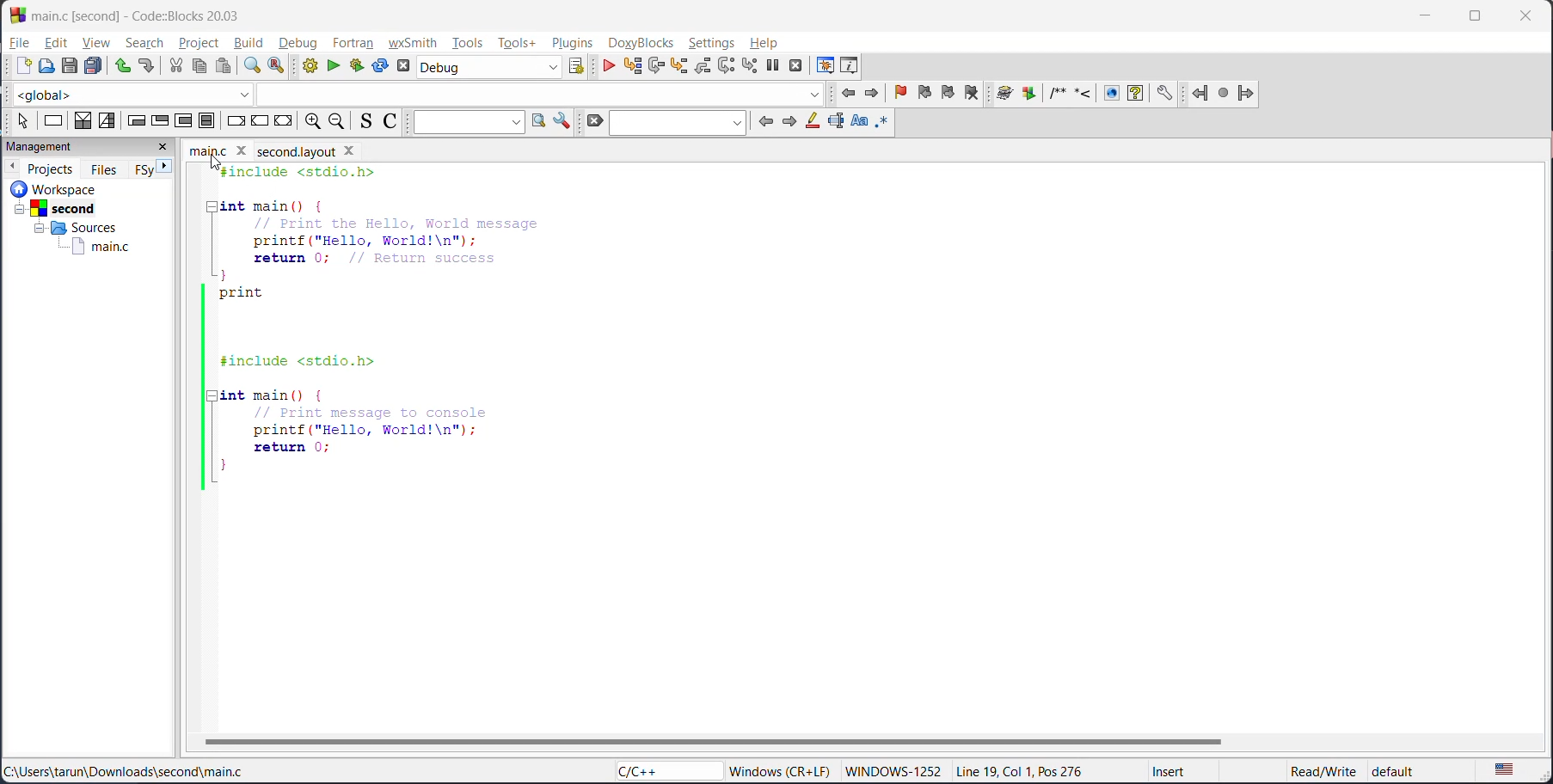  Describe the element at coordinates (205, 121) in the screenshot. I see `block instruction` at that location.